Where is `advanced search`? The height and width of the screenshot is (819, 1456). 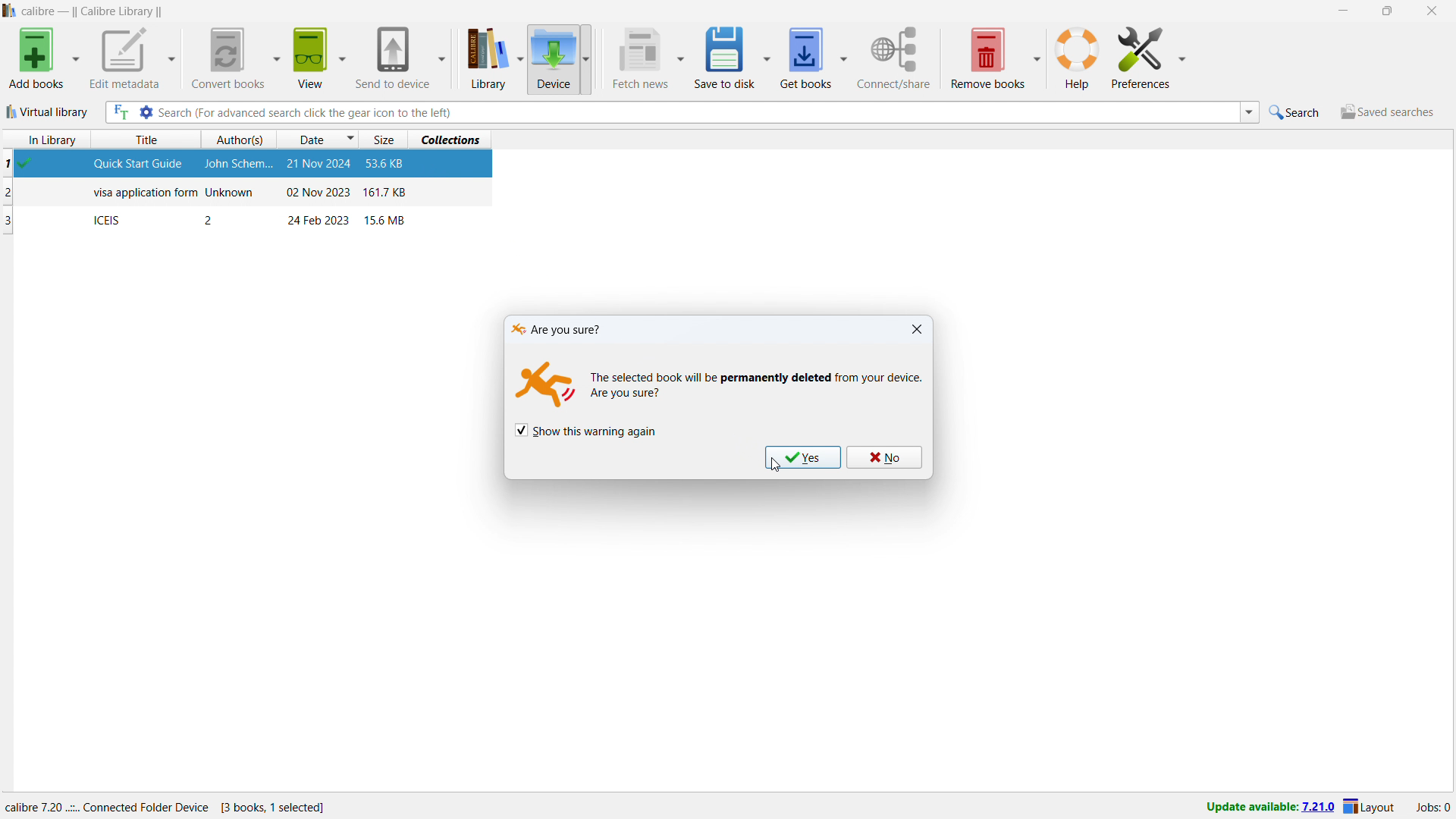 advanced search is located at coordinates (146, 112).